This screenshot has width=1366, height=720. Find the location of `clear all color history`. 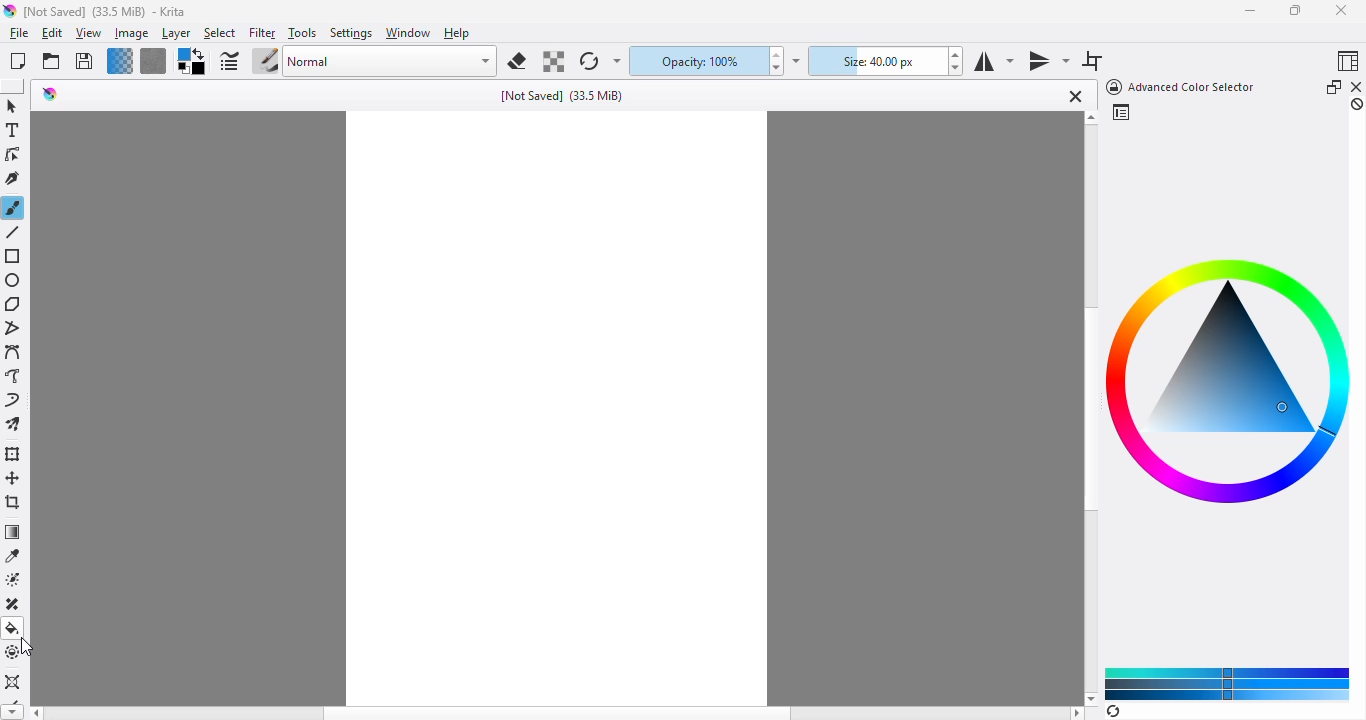

clear all color history is located at coordinates (1357, 104).